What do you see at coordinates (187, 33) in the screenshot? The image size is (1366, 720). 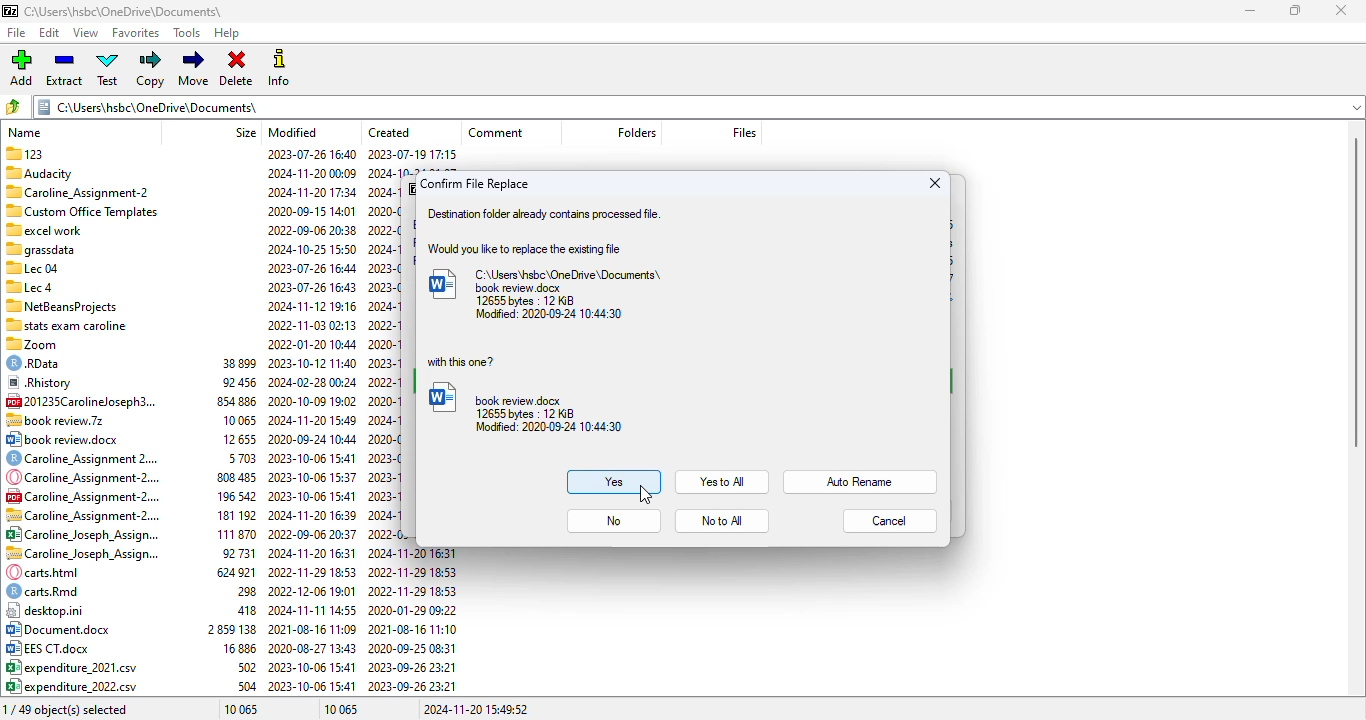 I see `tools` at bounding box center [187, 33].